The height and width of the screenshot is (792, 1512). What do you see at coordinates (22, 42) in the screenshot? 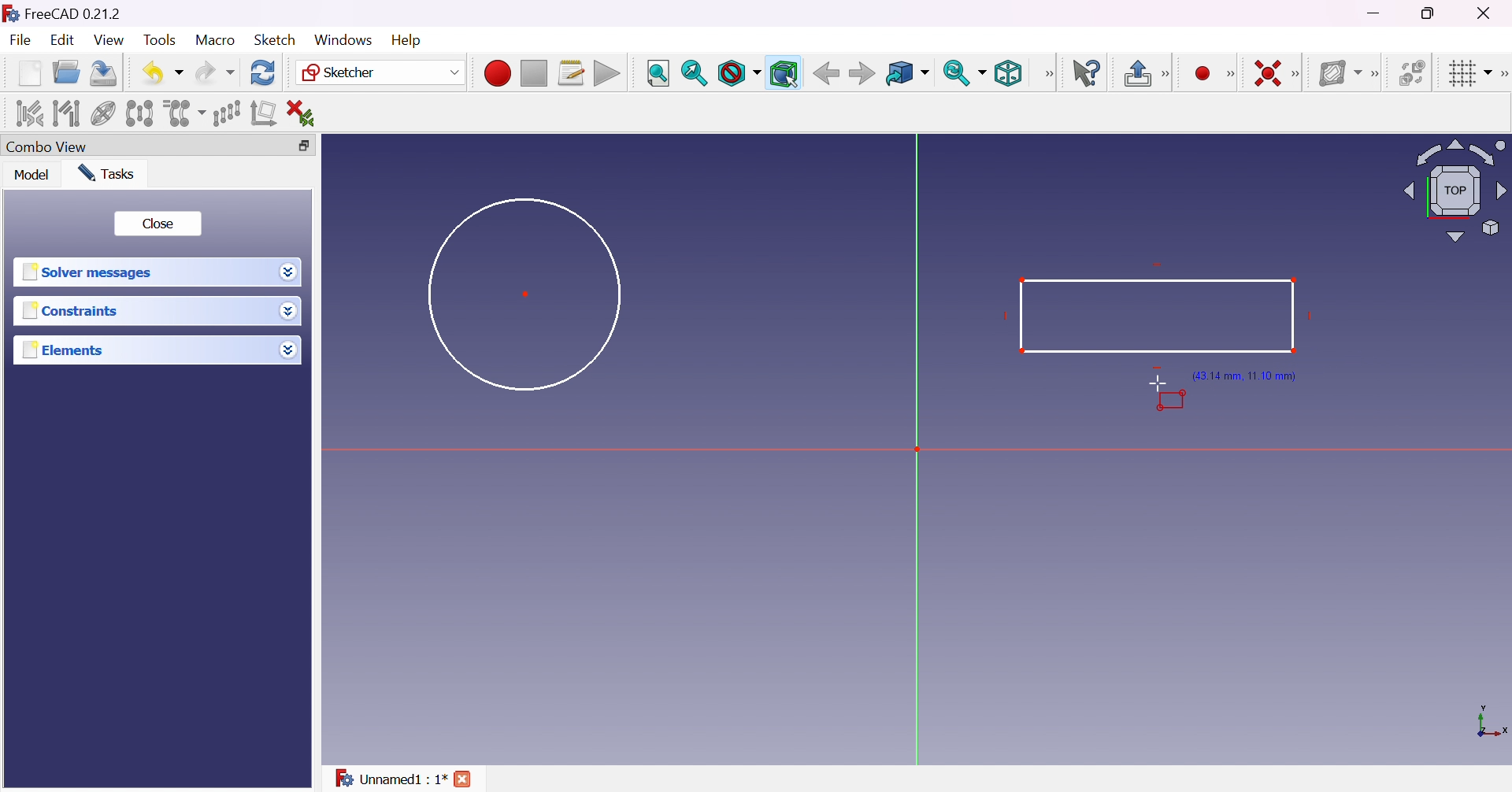
I see `File` at bounding box center [22, 42].